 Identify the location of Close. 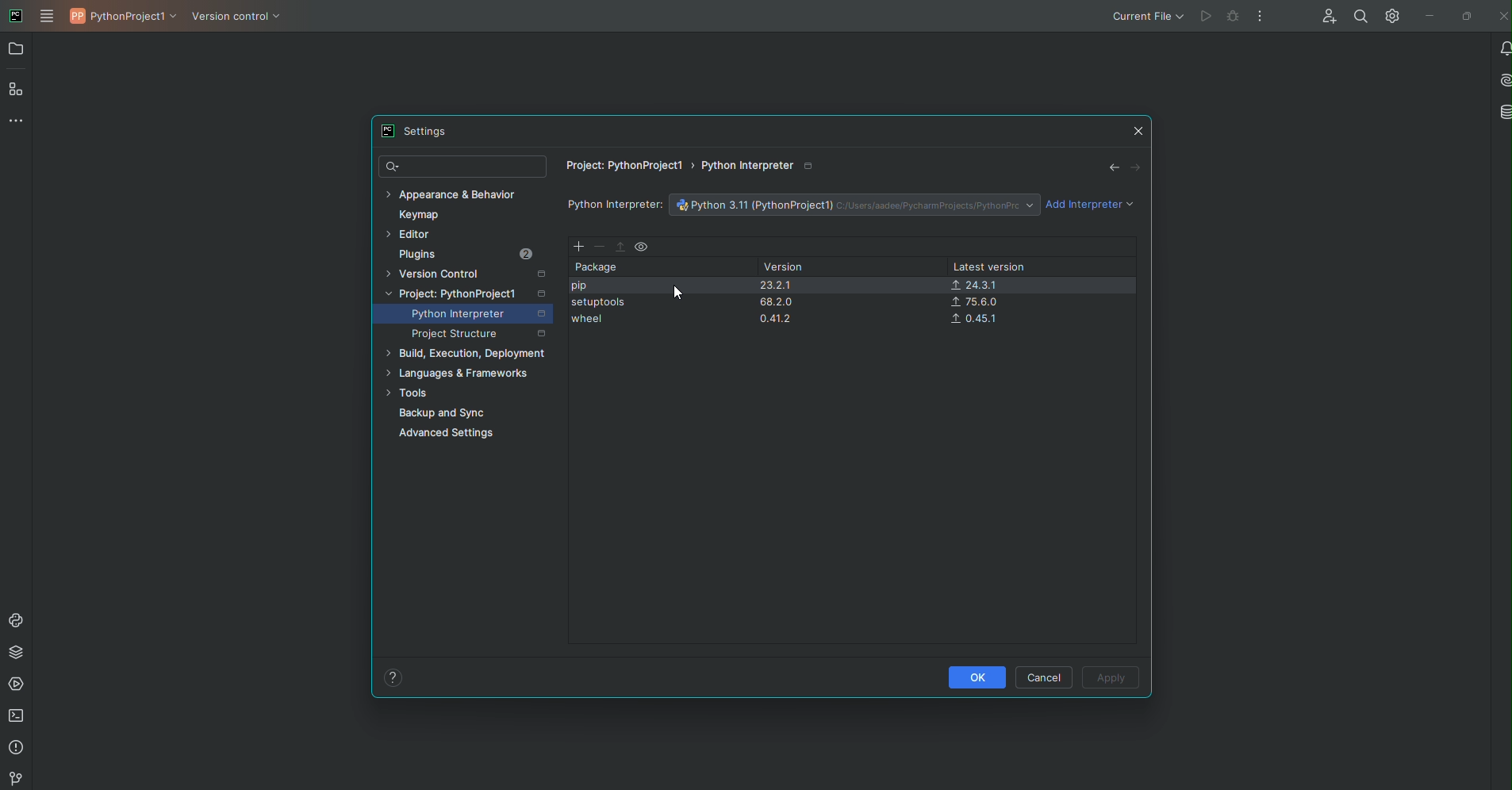
(1501, 15).